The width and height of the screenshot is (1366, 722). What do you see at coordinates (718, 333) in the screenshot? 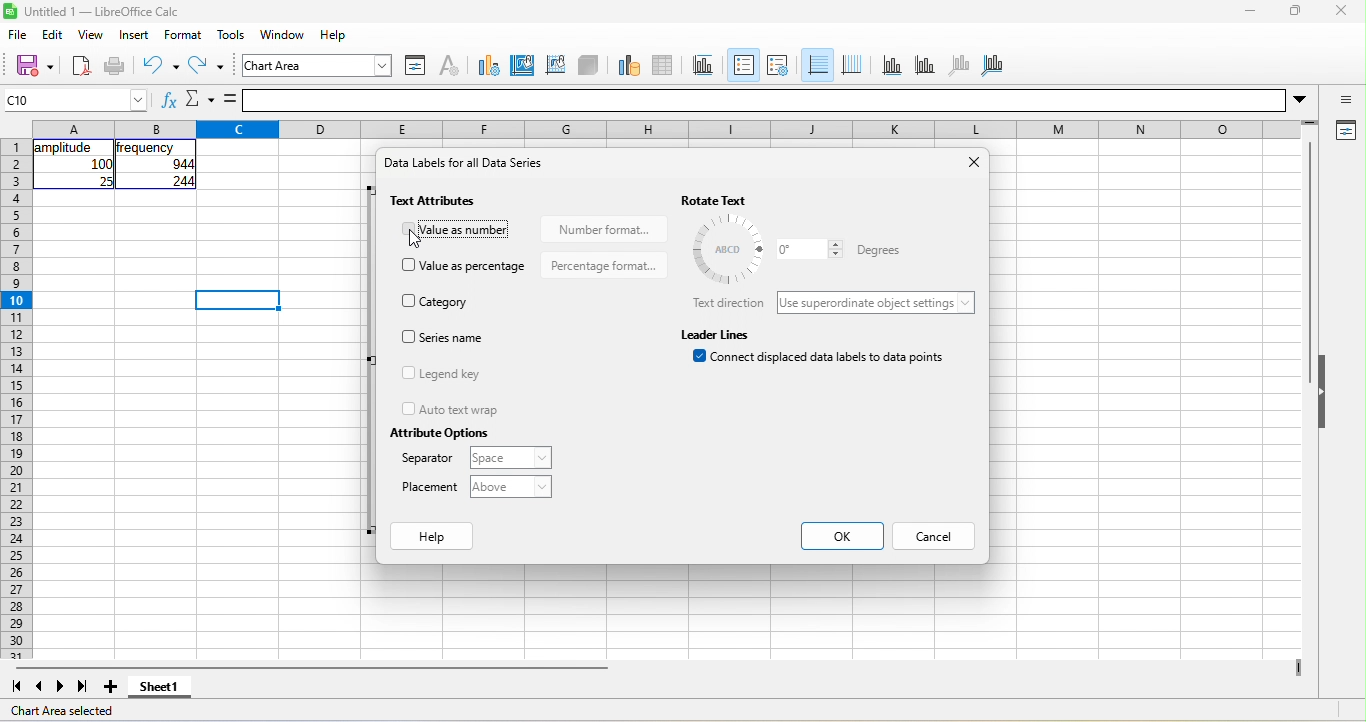
I see `leader lines` at bounding box center [718, 333].